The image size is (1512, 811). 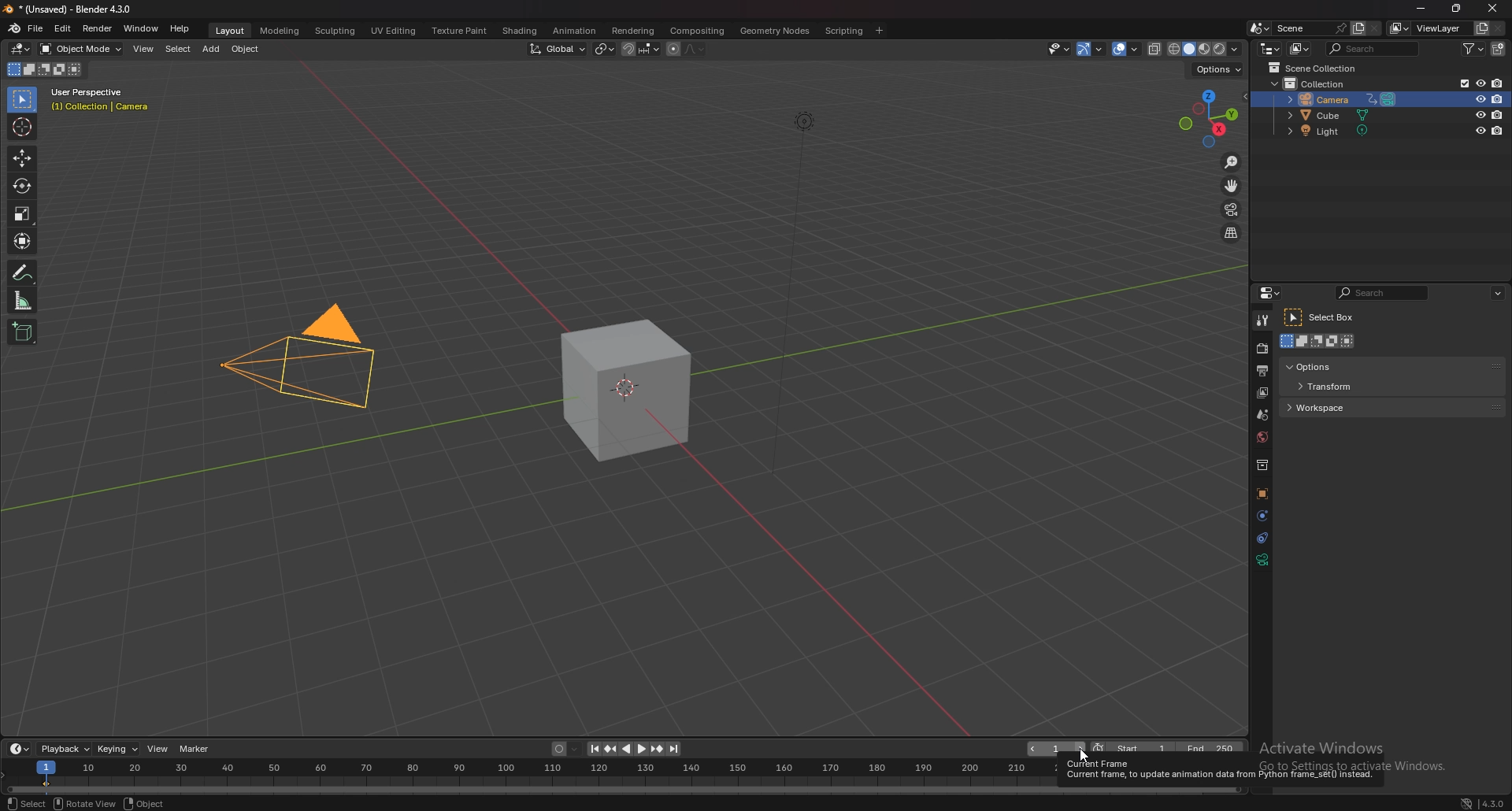 What do you see at coordinates (843, 31) in the screenshot?
I see `scripting` at bounding box center [843, 31].